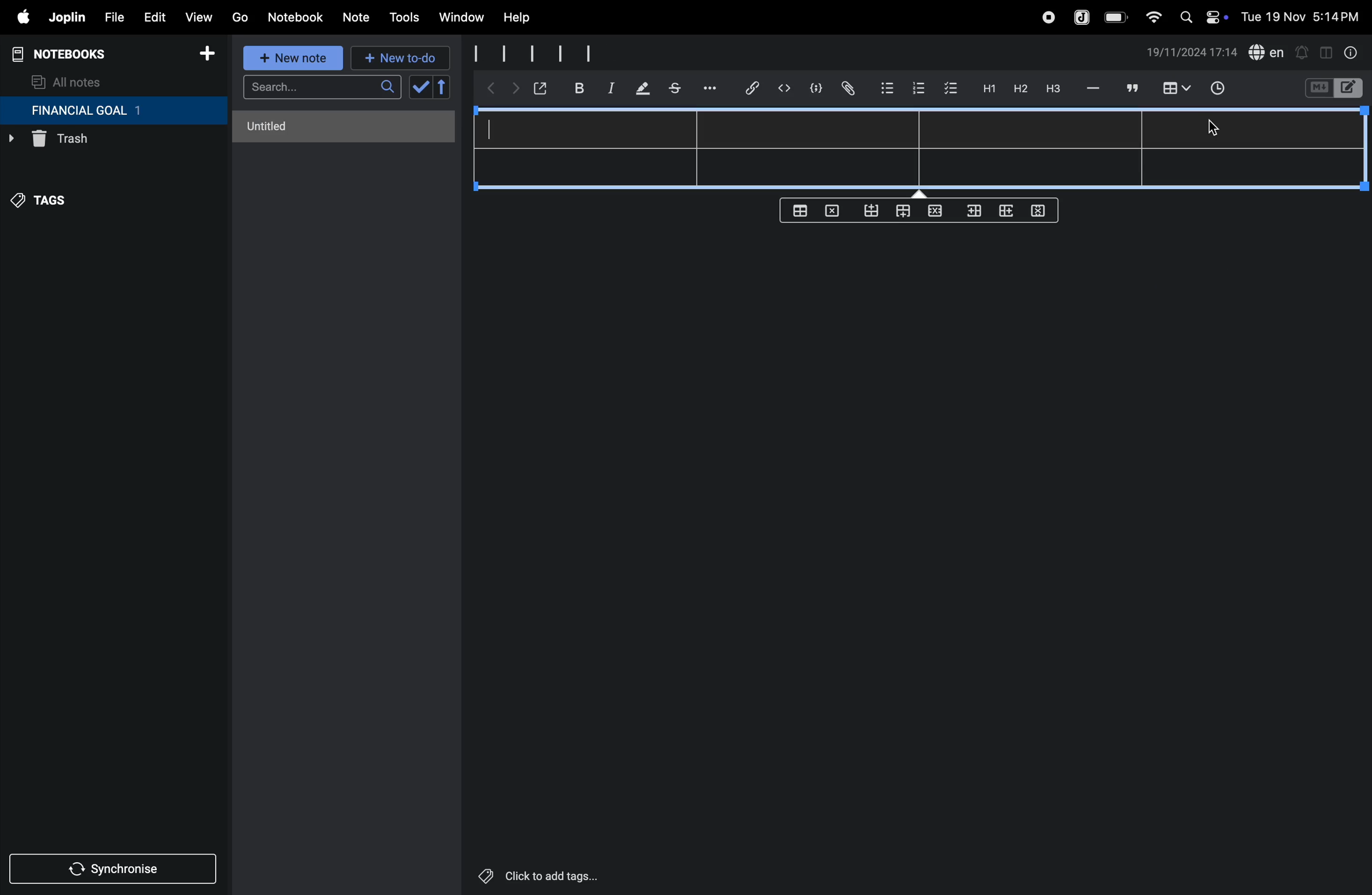  Describe the element at coordinates (609, 88) in the screenshot. I see `itallic` at that location.